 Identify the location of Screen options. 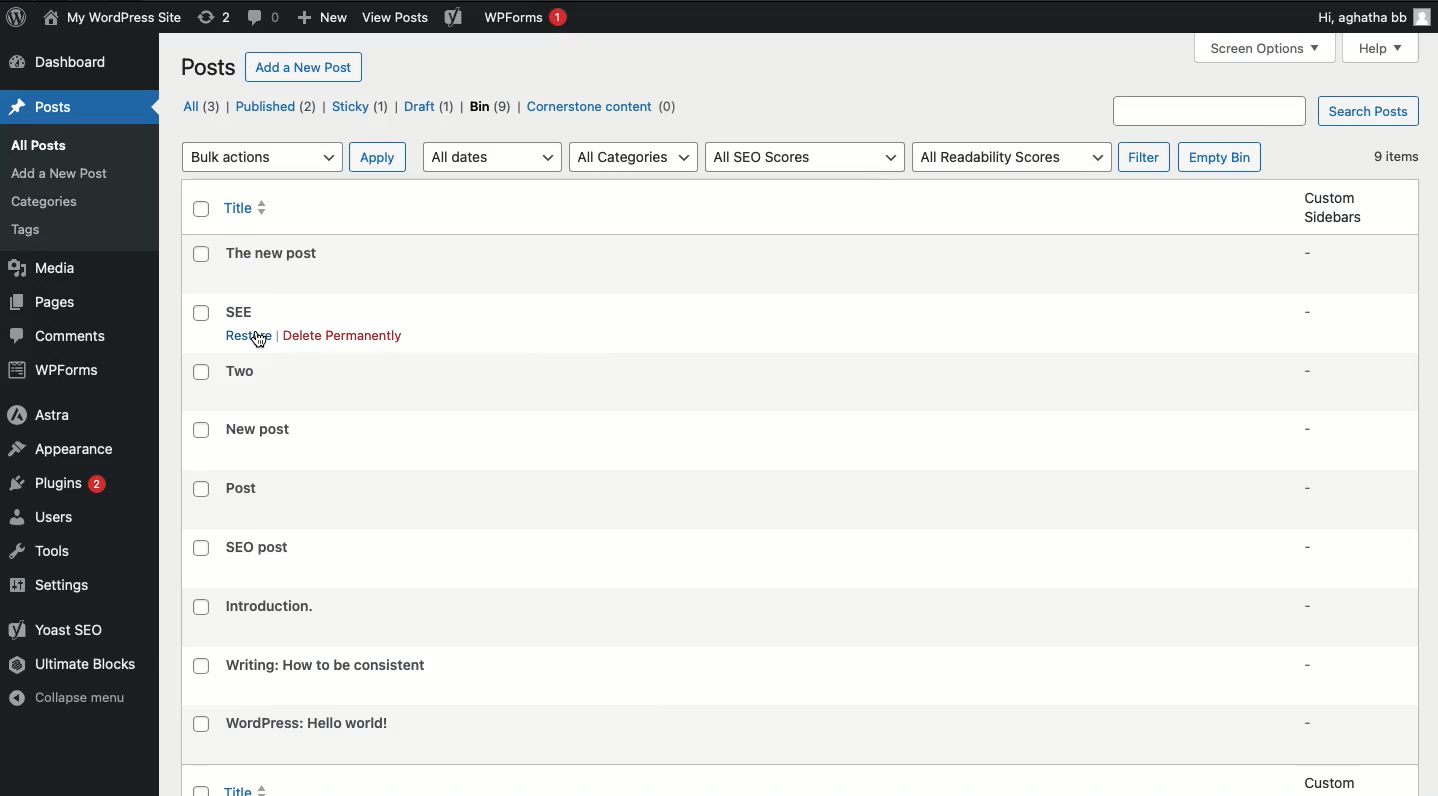
(1266, 50).